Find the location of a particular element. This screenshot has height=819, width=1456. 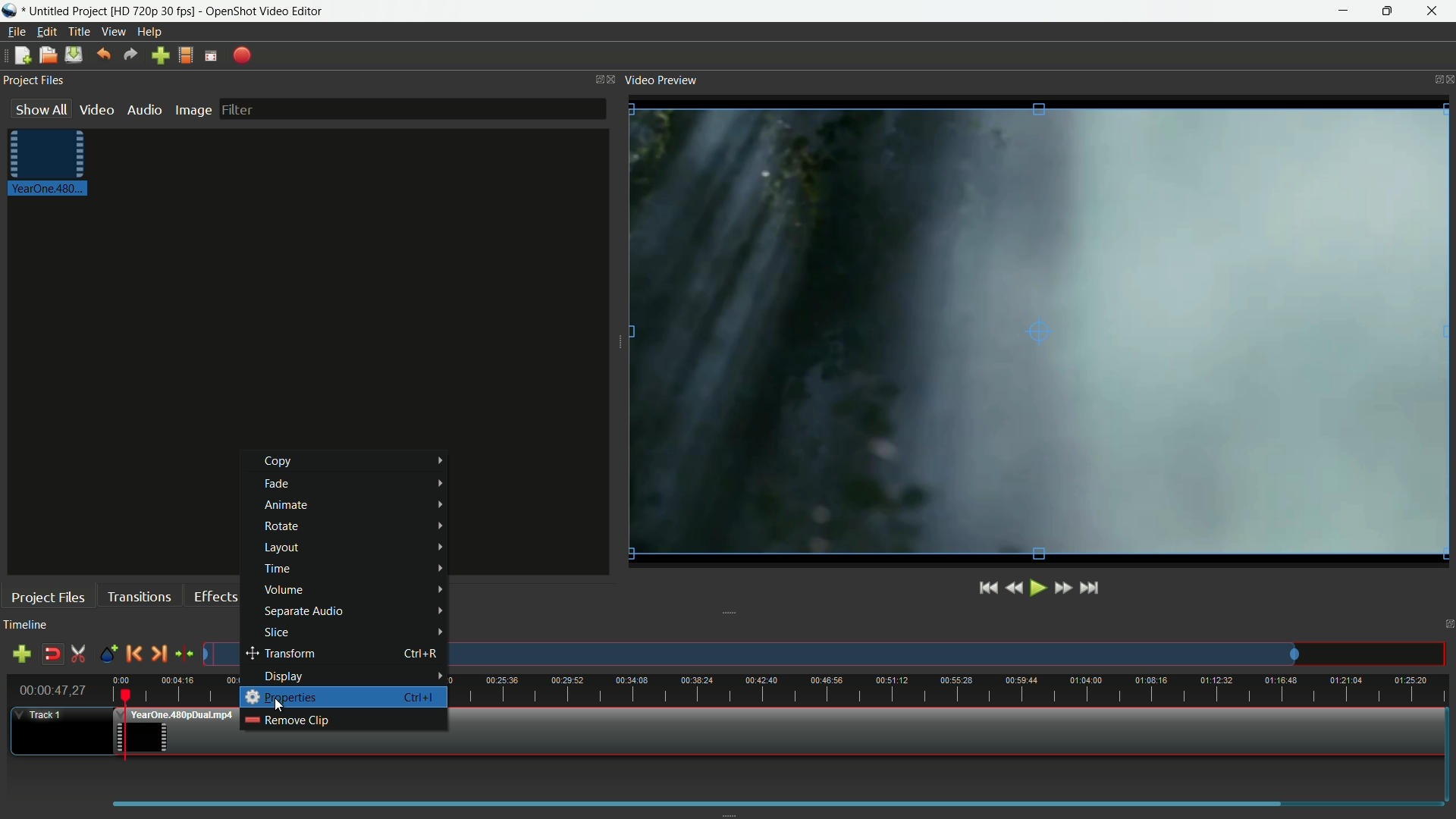

maximize is located at coordinates (1385, 11).